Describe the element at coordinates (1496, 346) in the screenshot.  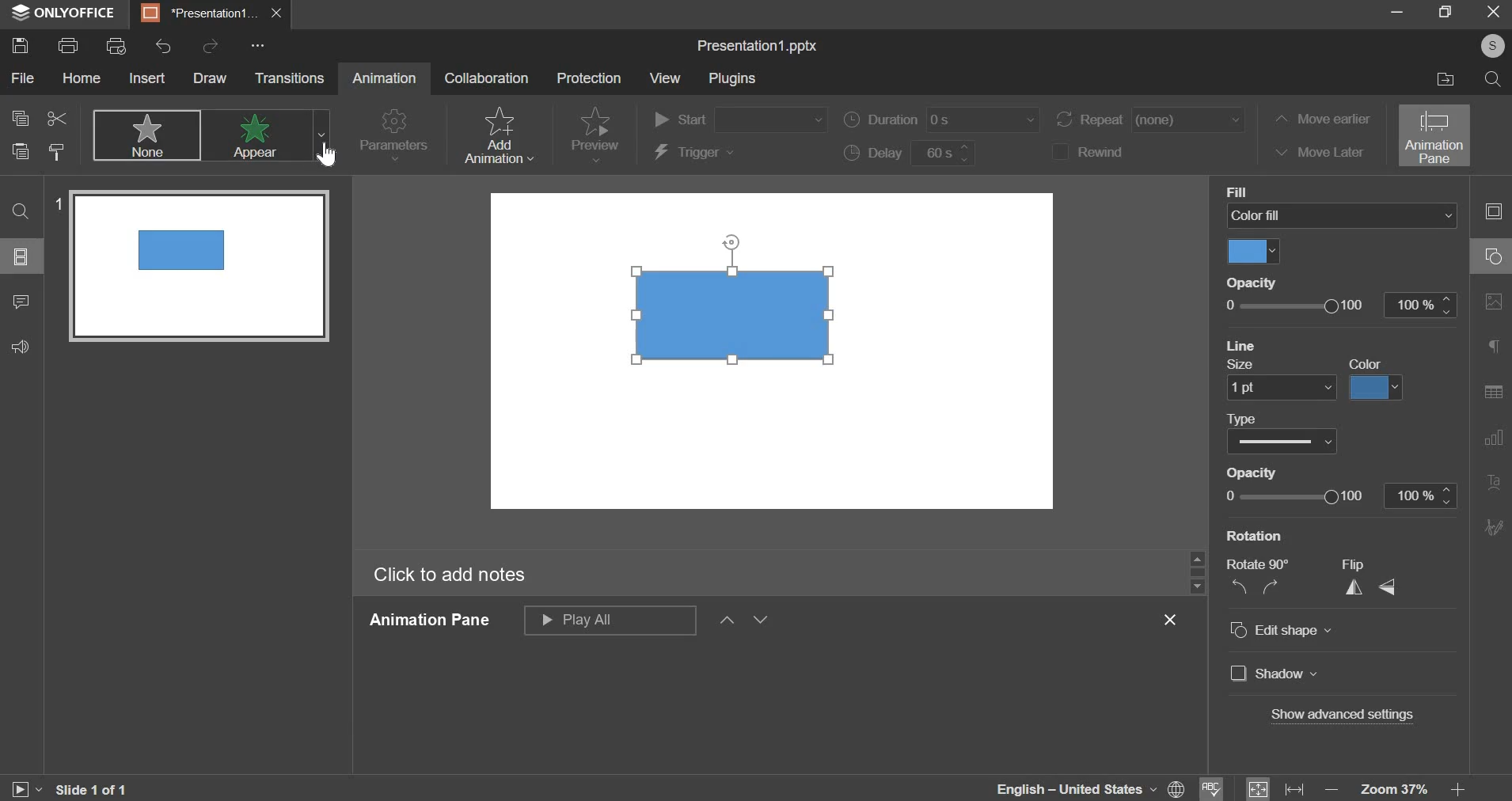
I see `Slide Size` at that location.